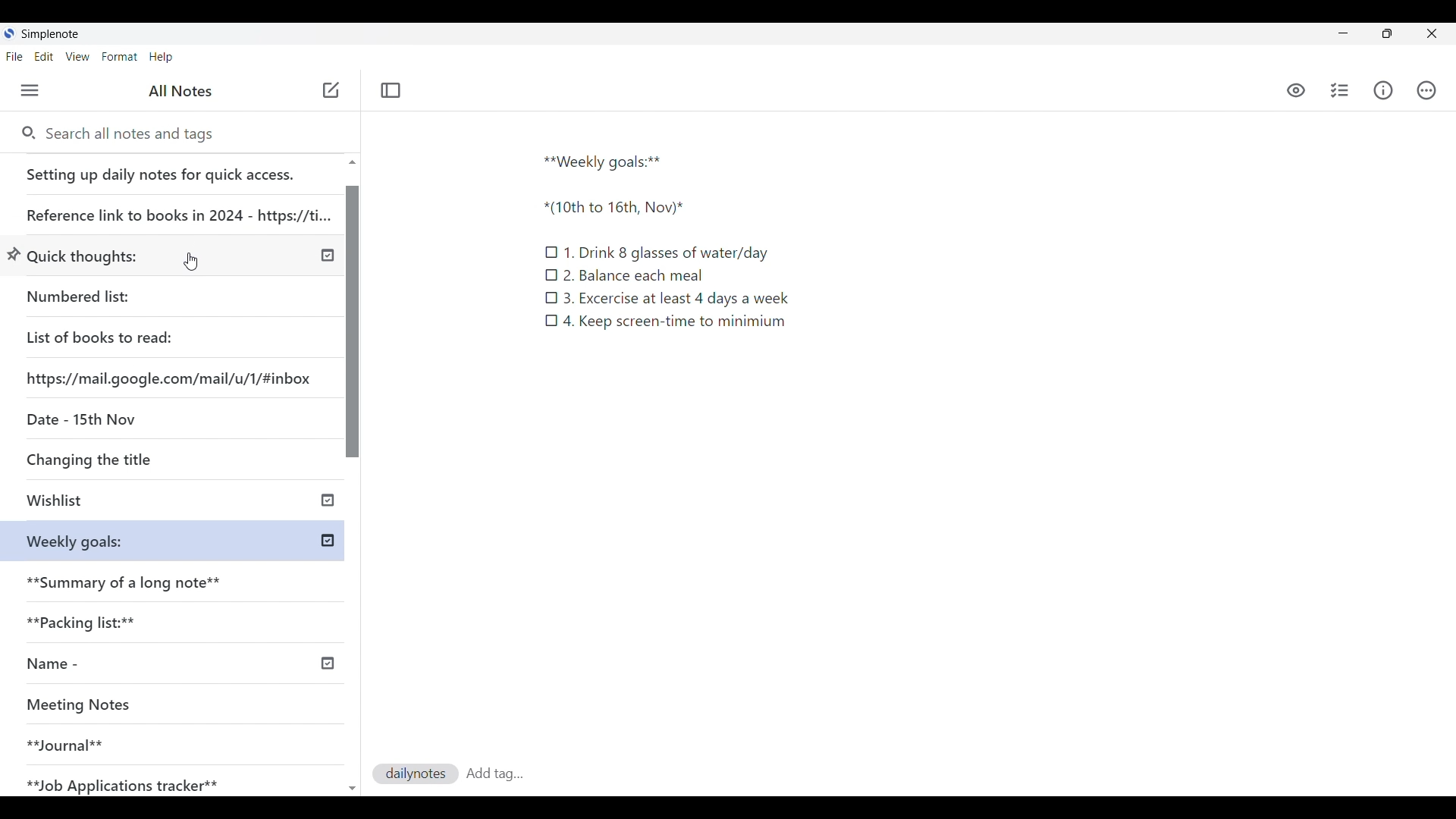 This screenshot has height=819, width=1456. Describe the element at coordinates (180, 91) in the screenshot. I see `All notes` at that location.